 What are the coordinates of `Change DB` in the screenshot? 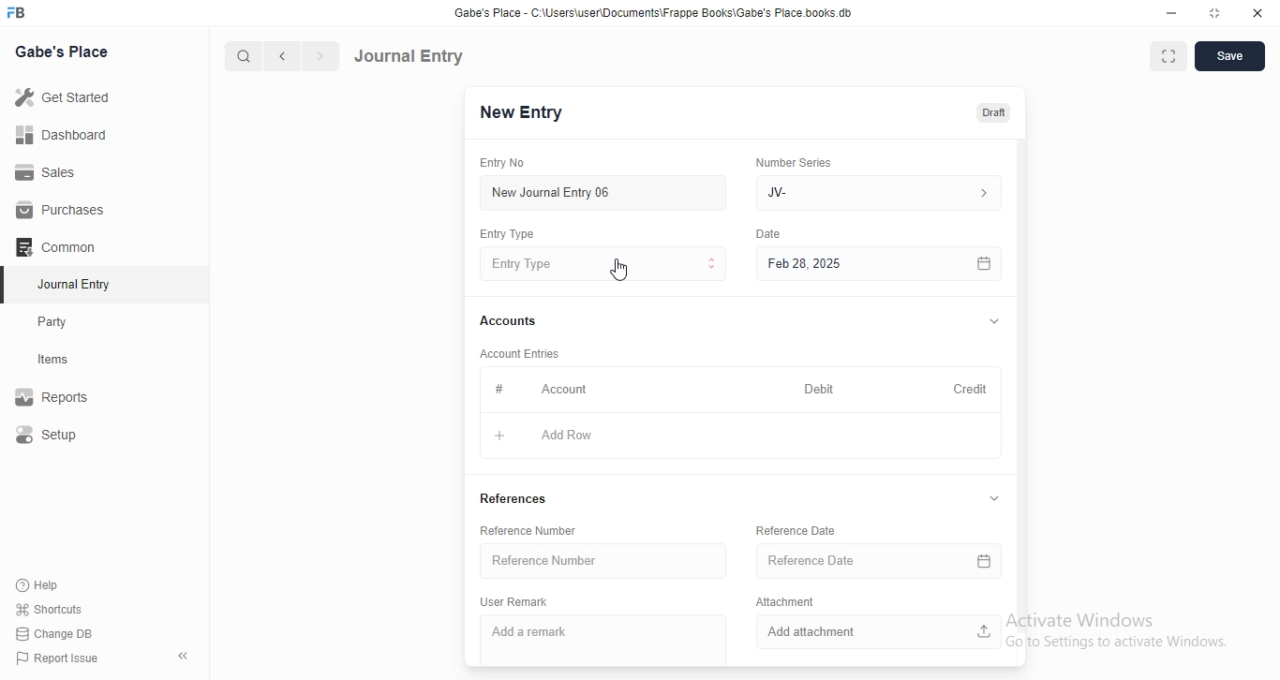 It's located at (60, 633).